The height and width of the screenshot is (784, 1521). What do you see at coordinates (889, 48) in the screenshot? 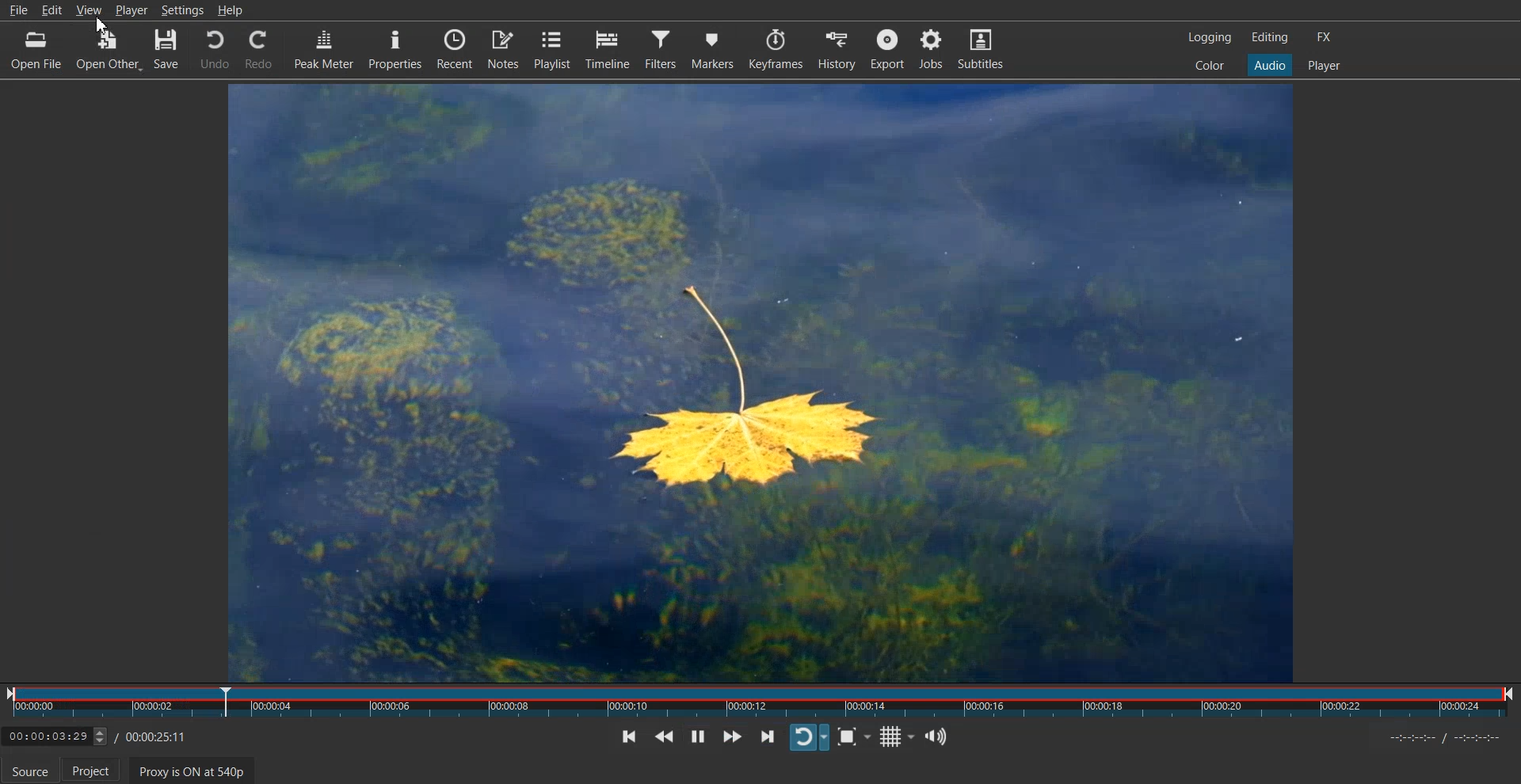
I see `Export` at bounding box center [889, 48].